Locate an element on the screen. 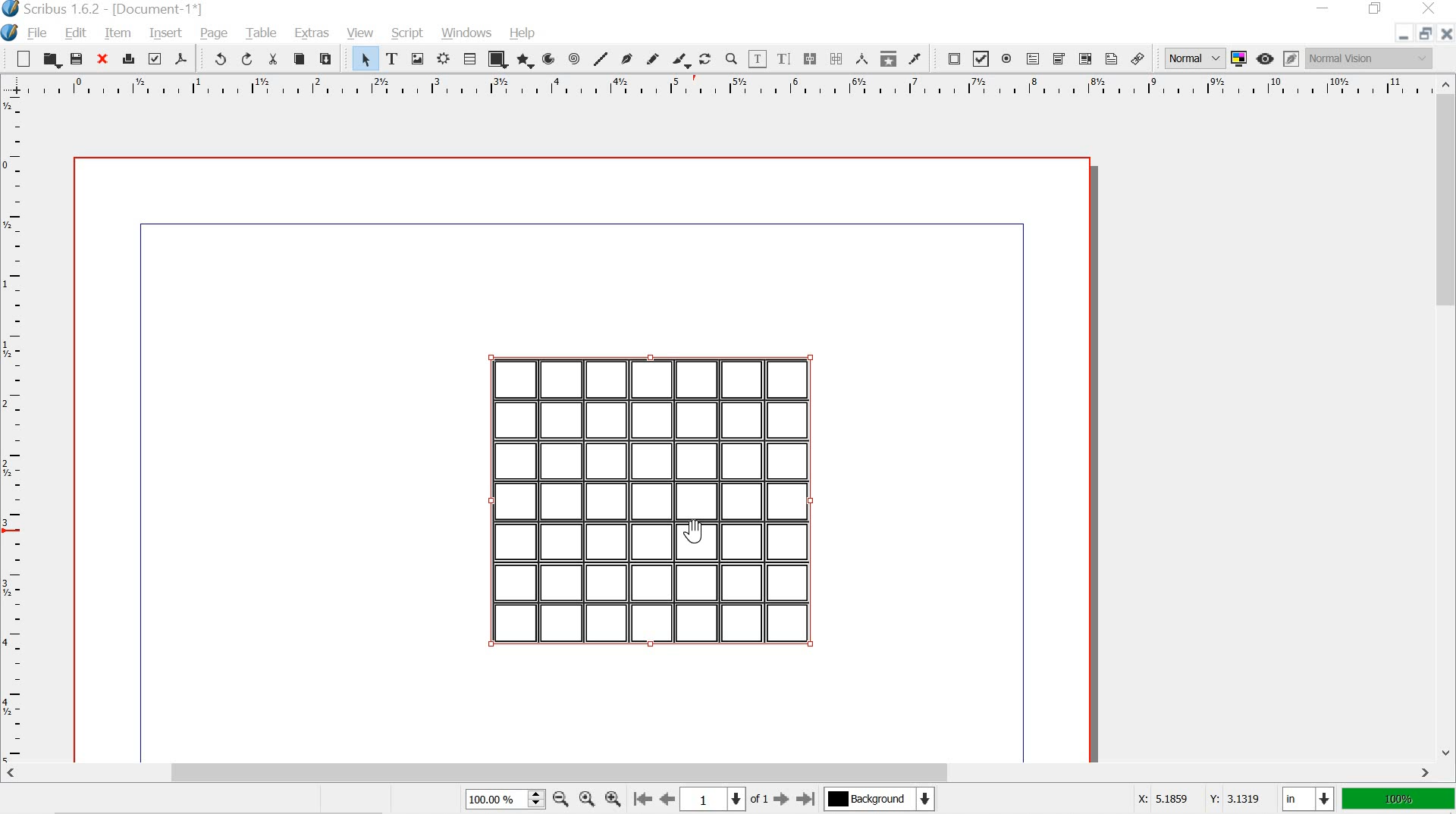 The height and width of the screenshot is (814, 1456). 1 is located at coordinates (702, 800).